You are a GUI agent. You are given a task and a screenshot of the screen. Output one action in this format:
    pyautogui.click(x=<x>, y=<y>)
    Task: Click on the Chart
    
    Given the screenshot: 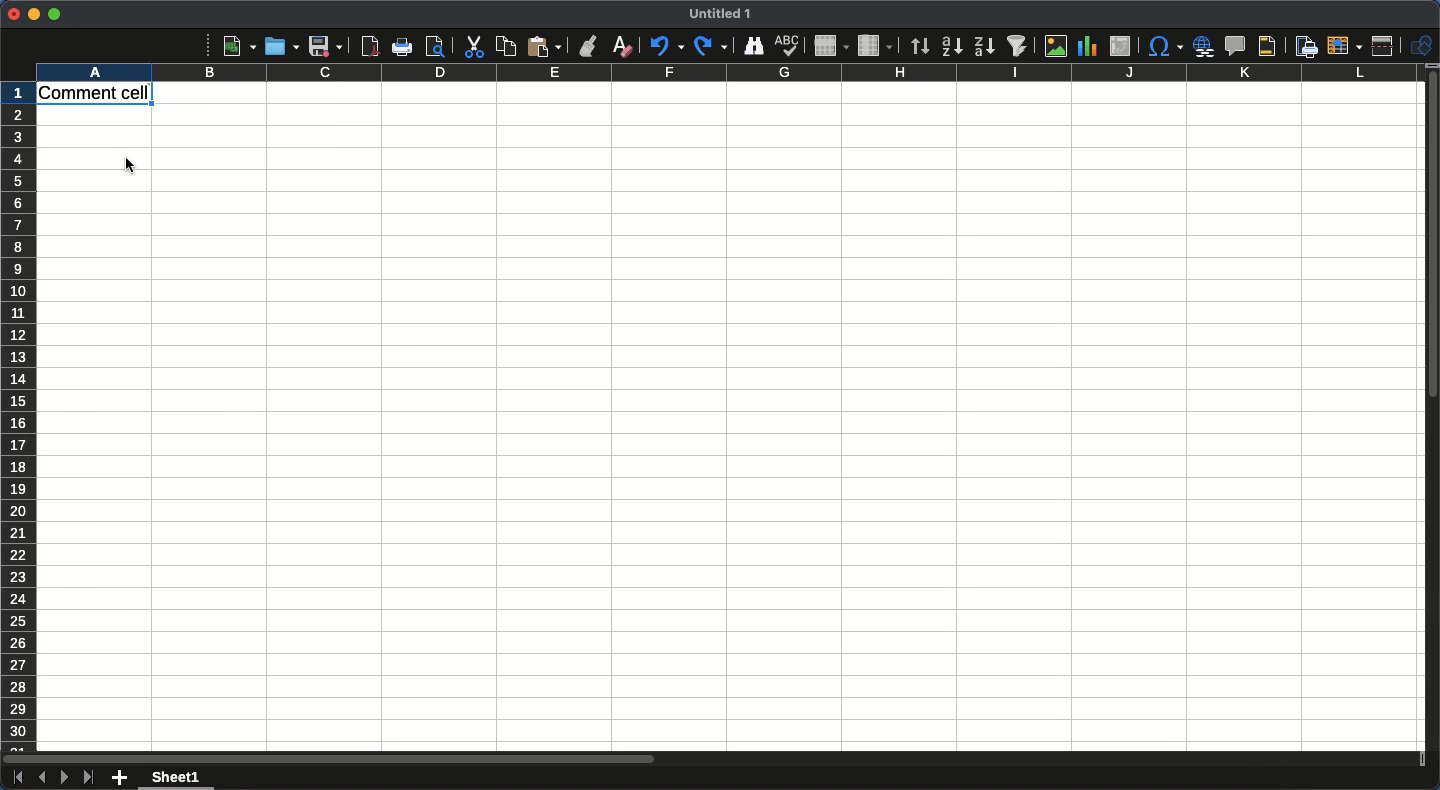 What is the action you would take?
    pyautogui.click(x=1086, y=45)
    